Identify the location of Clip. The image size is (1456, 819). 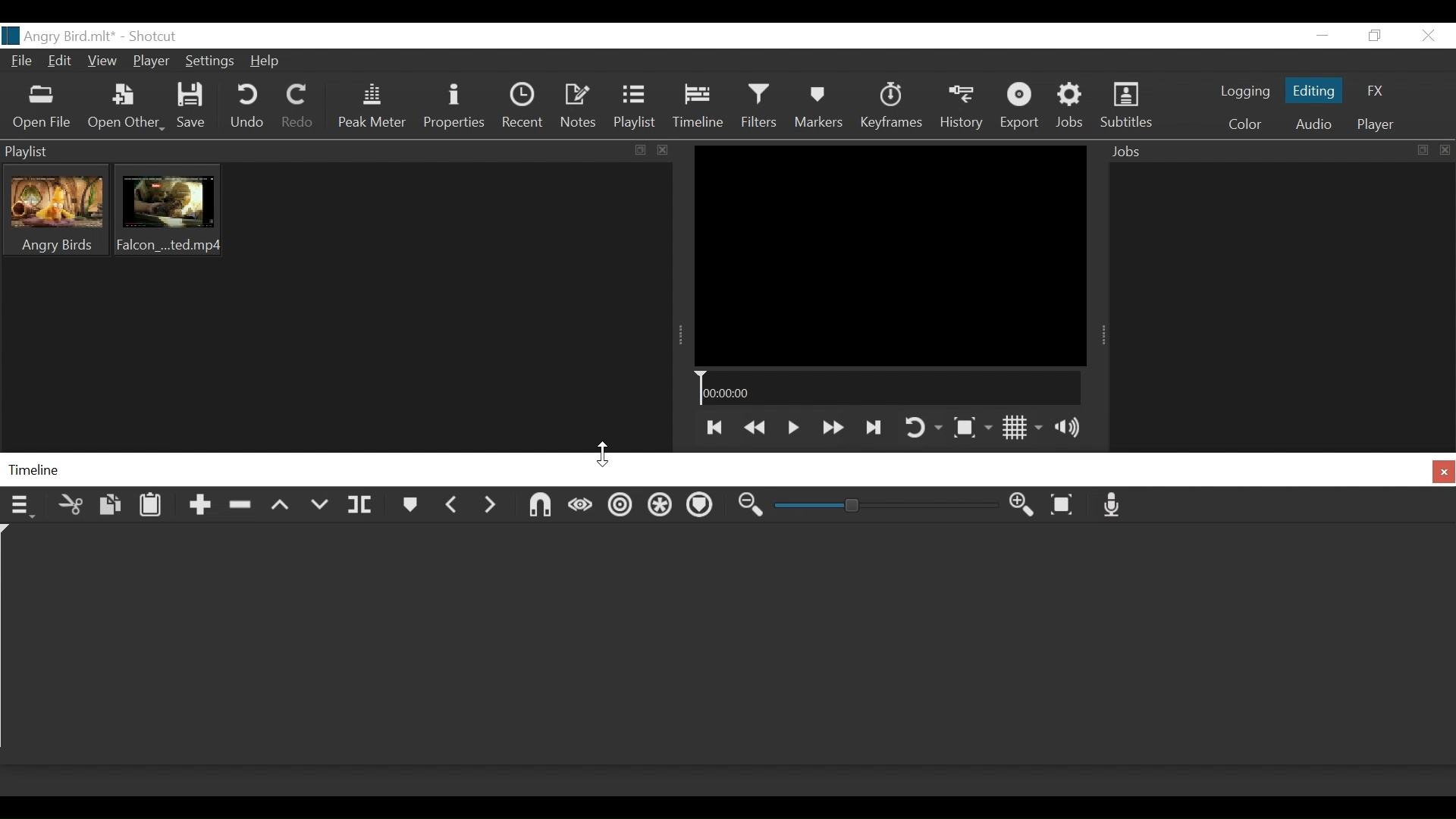
(56, 210).